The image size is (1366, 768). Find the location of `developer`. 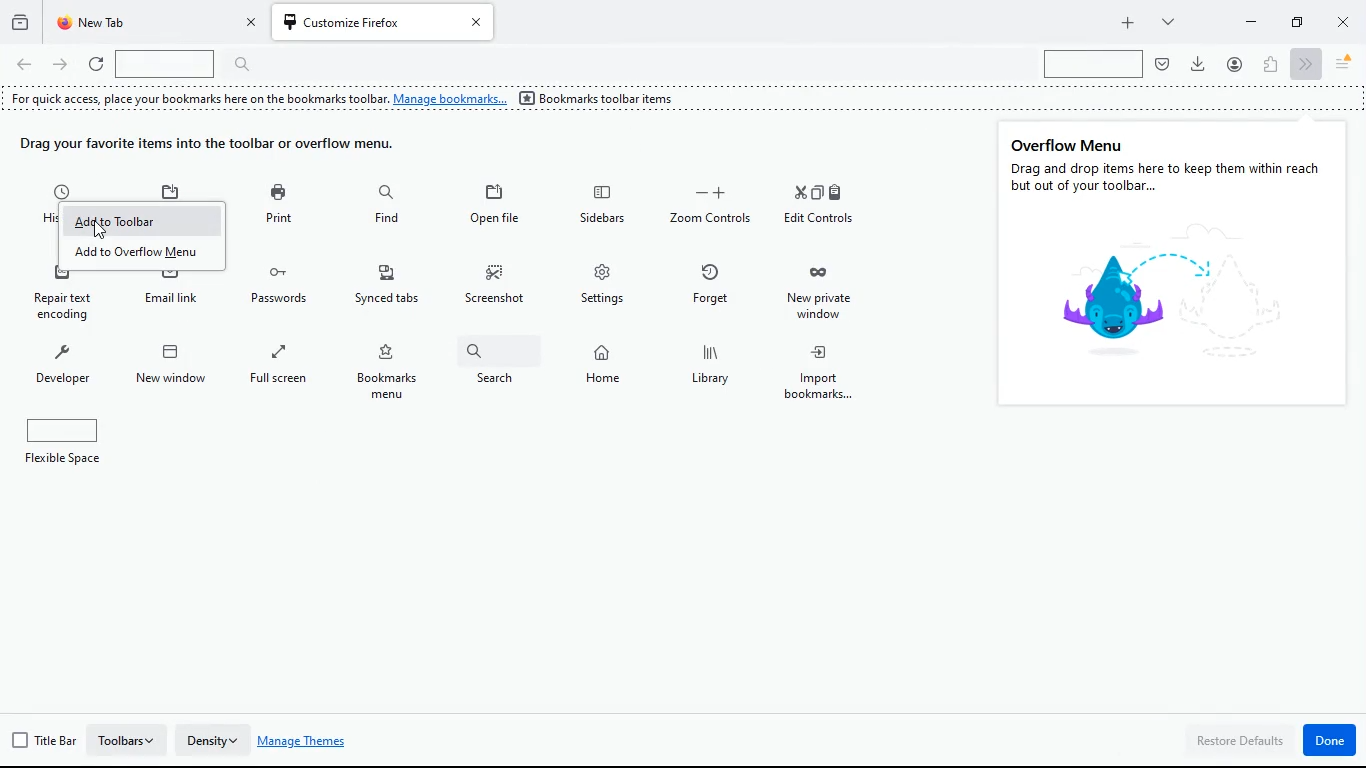

developer is located at coordinates (65, 368).